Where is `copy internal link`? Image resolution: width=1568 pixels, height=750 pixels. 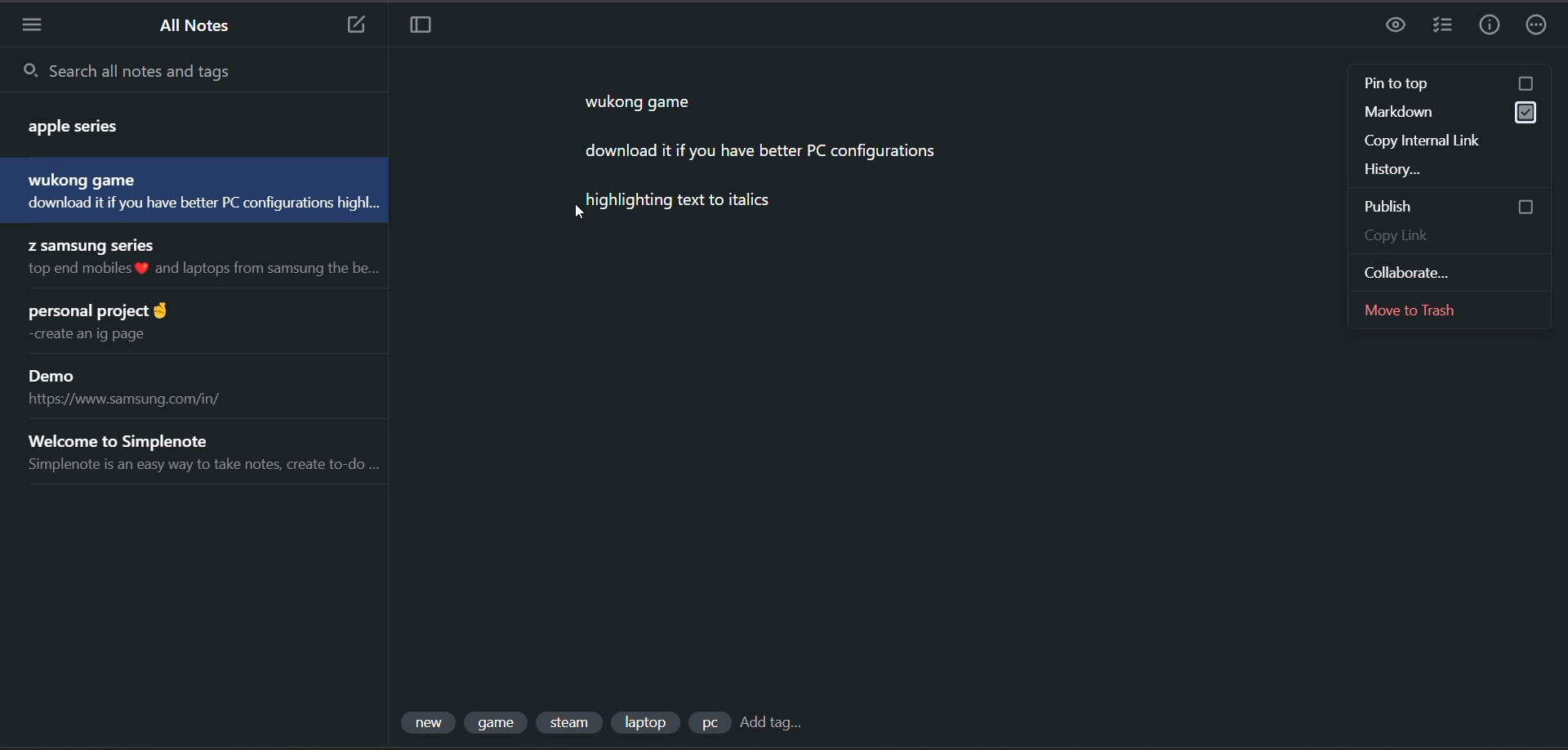
copy internal link is located at coordinates (1433, 141).